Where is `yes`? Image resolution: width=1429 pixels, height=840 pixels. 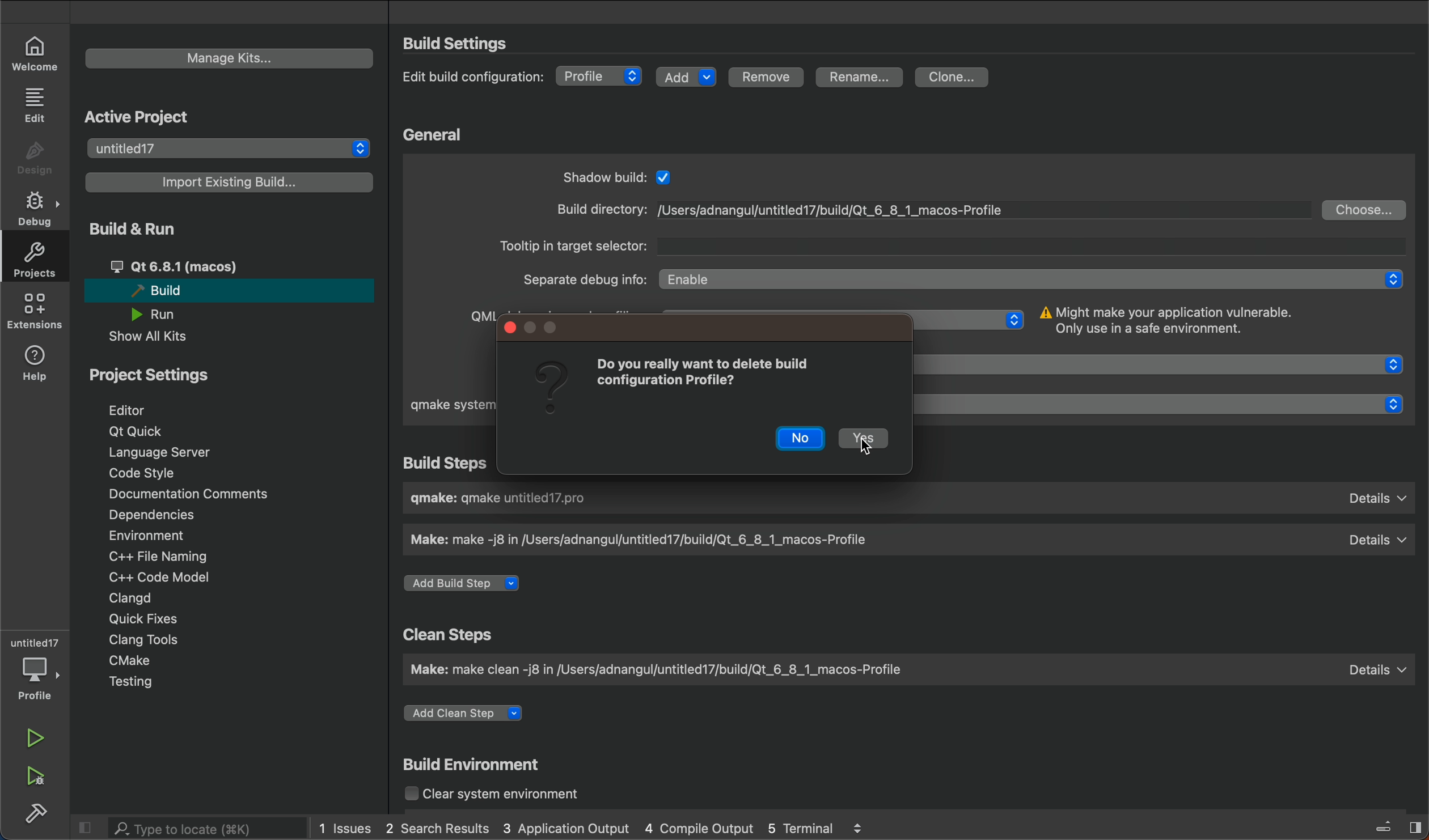 yes is located at coordinates (868, 439).